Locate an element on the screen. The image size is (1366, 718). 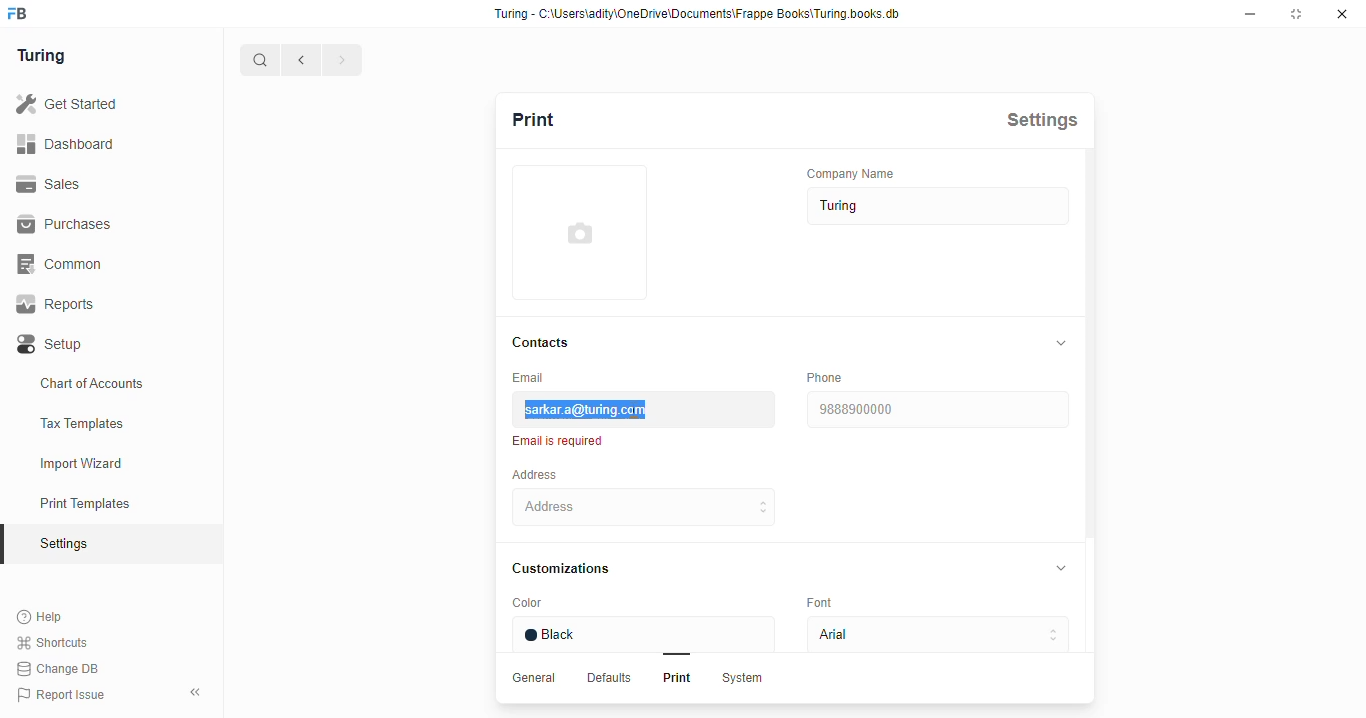
Print is located at coordinates (673, 680).